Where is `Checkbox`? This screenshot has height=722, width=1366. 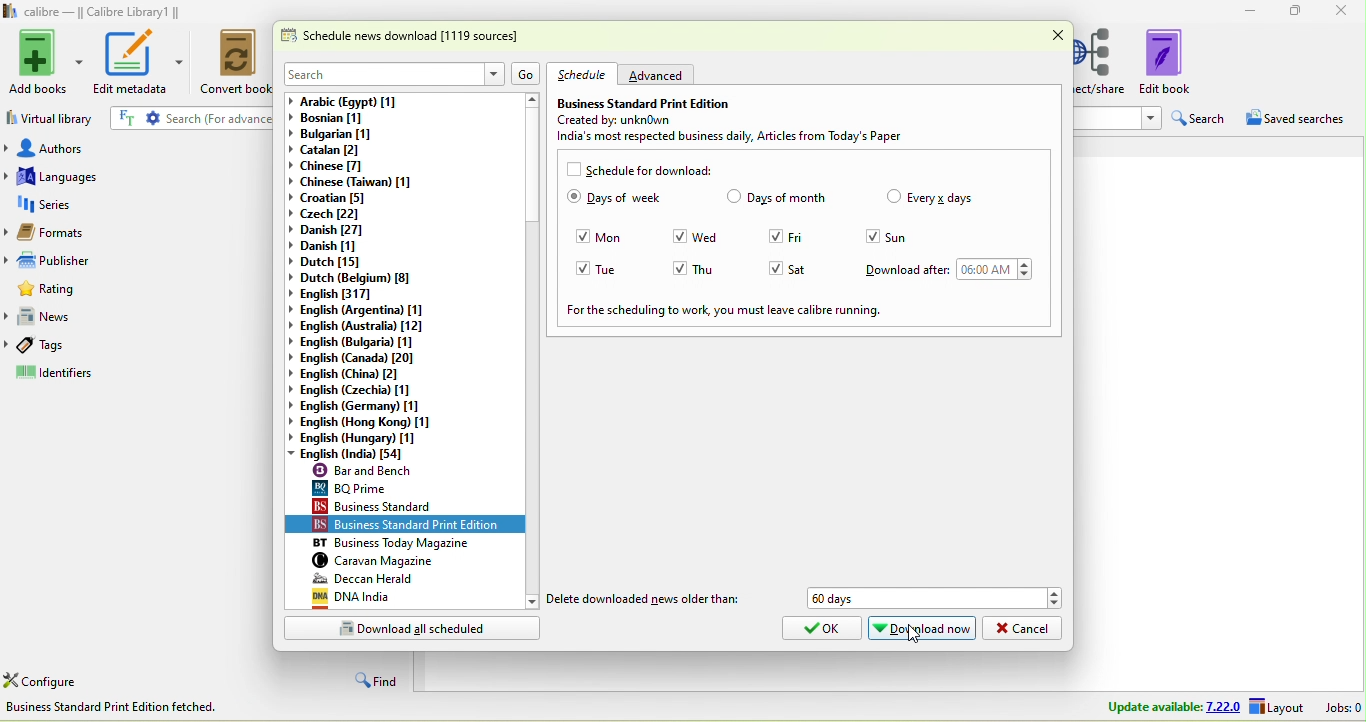
Checkbox is located at coordinates (893, 196).